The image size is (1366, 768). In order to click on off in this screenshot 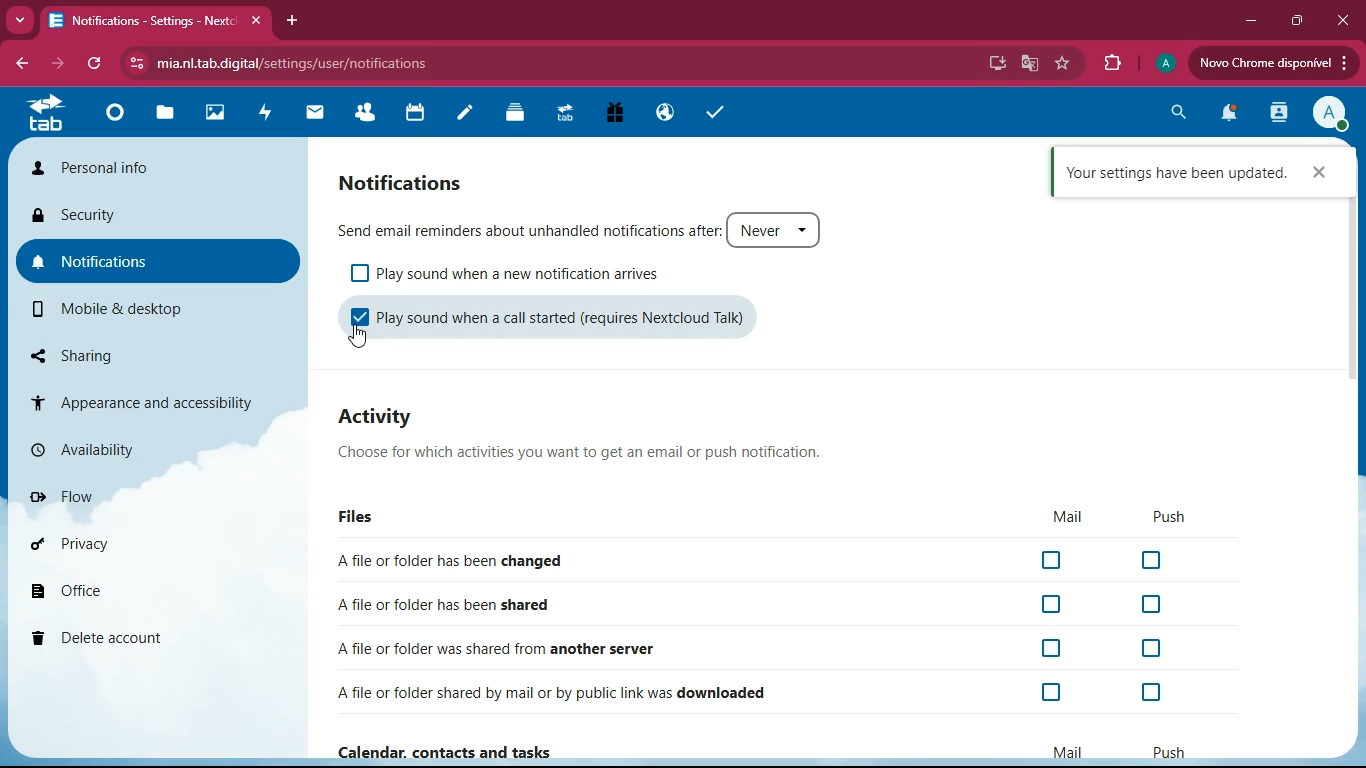, I will do `click(1054, 562)`.